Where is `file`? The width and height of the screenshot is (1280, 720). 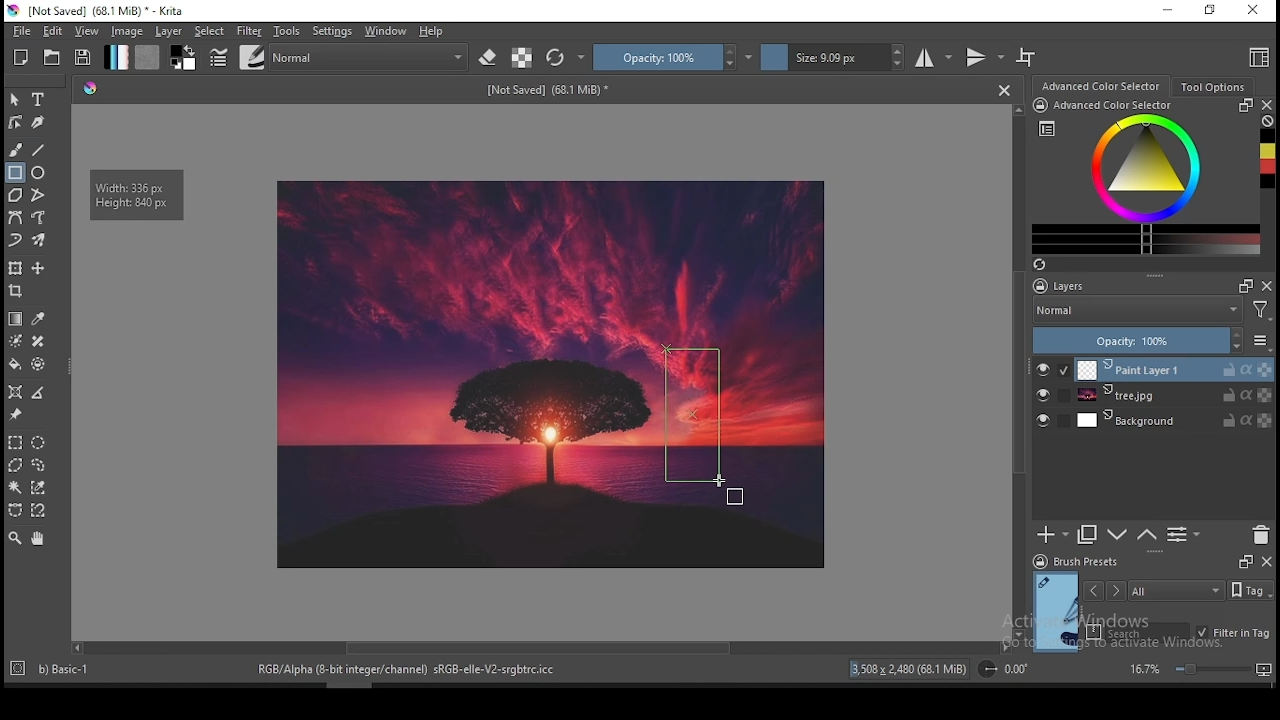 file is located at coordinates (19, 32).